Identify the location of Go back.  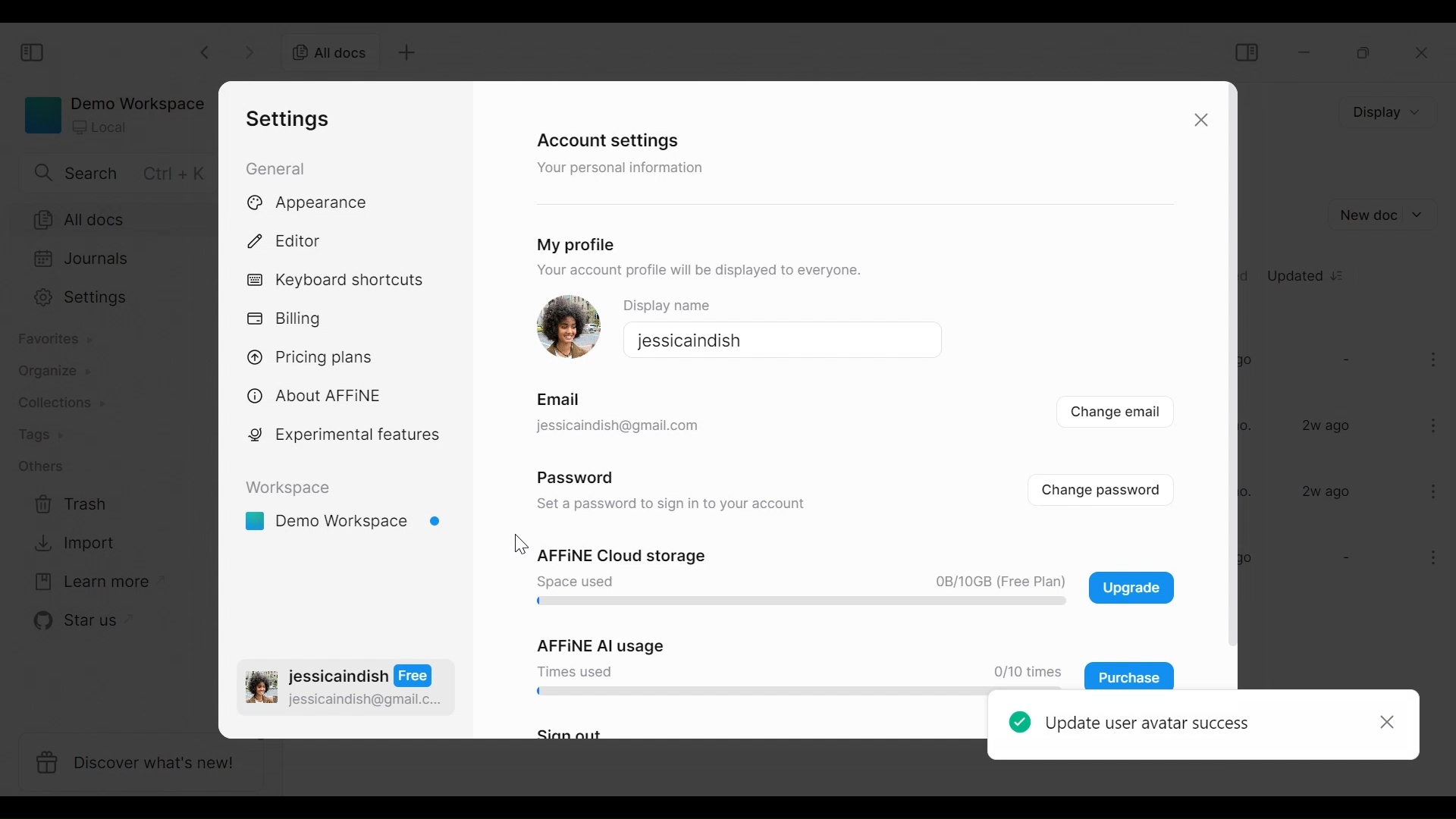
(206, 52).